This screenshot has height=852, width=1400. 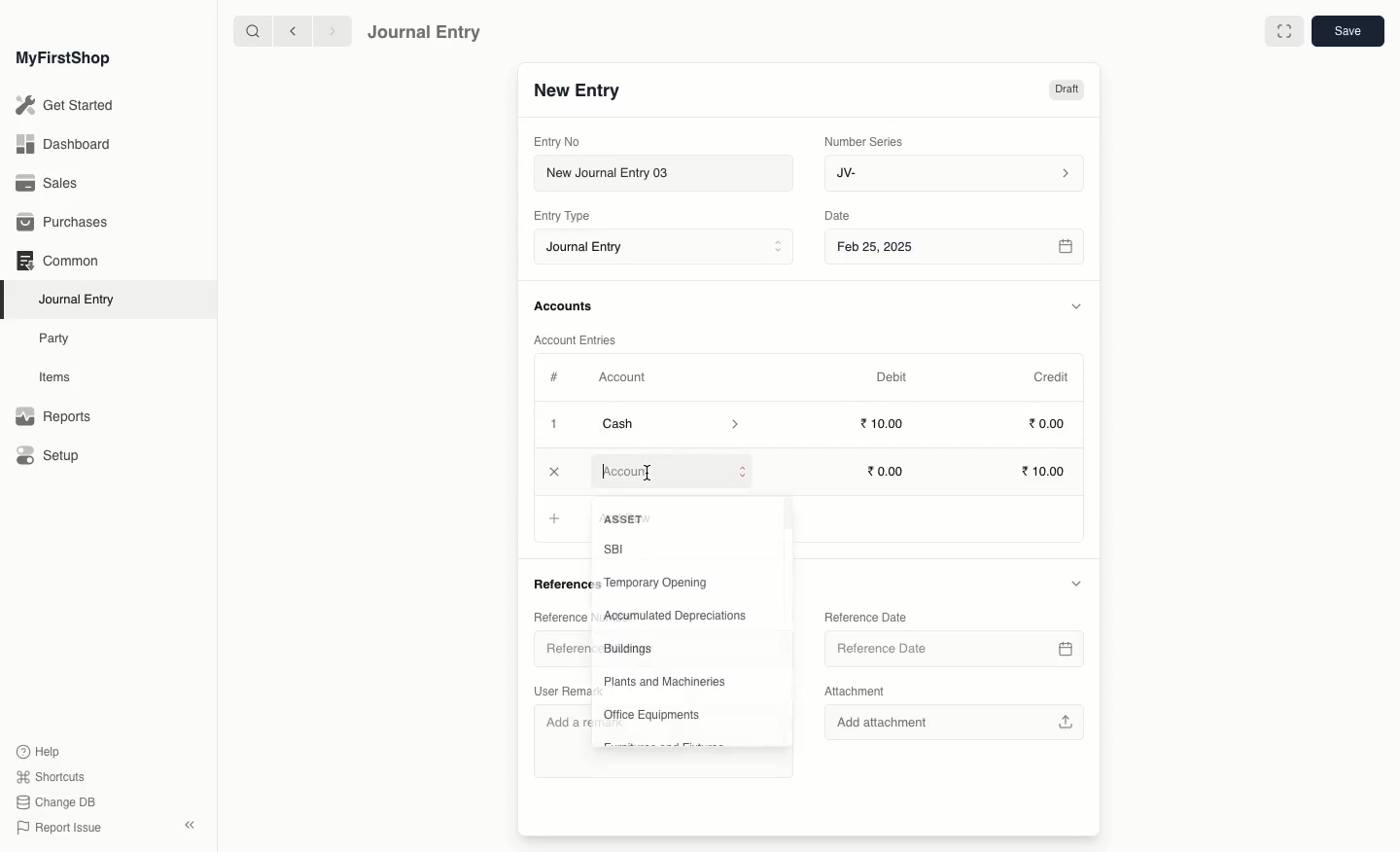 I want to click on forward >, so click(x=328, y=30).